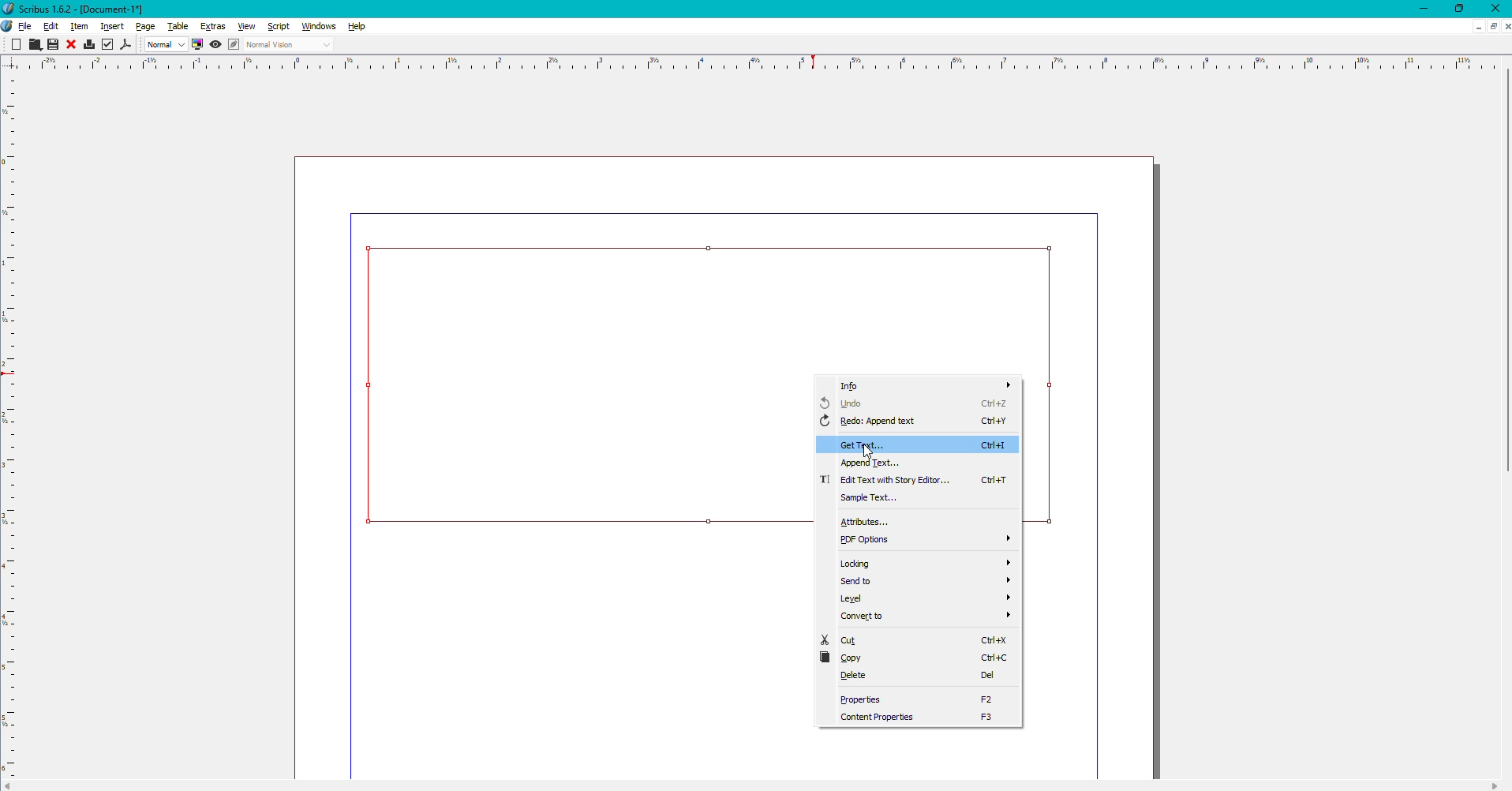 This screenshot has height=791, width=1512. I want to click on Sample text, so click(866, 497).